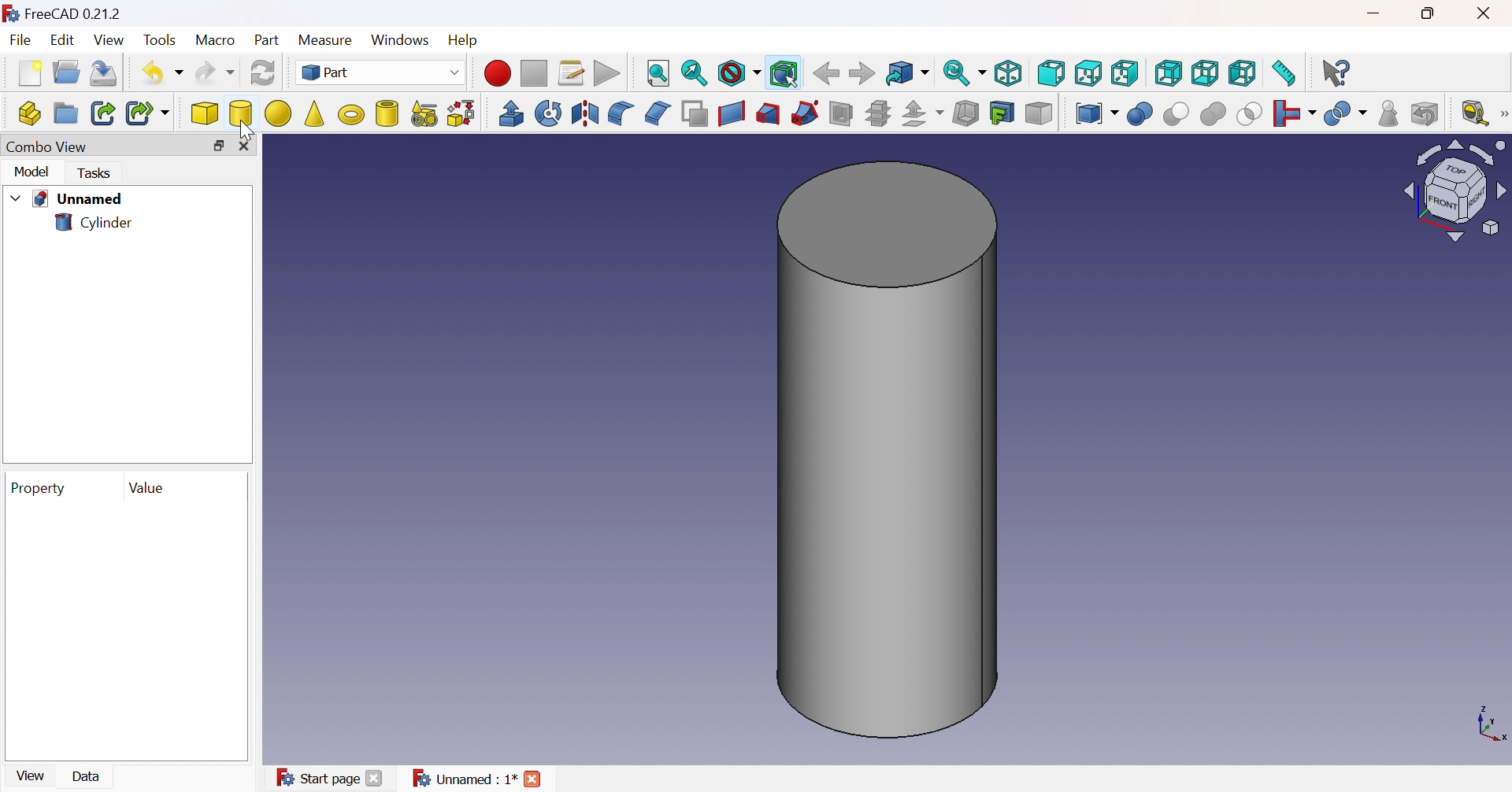 Image resolution: width=1512 pixels, height=792 pixels. Describe the element at coordinates (1474, 113) in the screenshot. I see `Measure liner` at that location.